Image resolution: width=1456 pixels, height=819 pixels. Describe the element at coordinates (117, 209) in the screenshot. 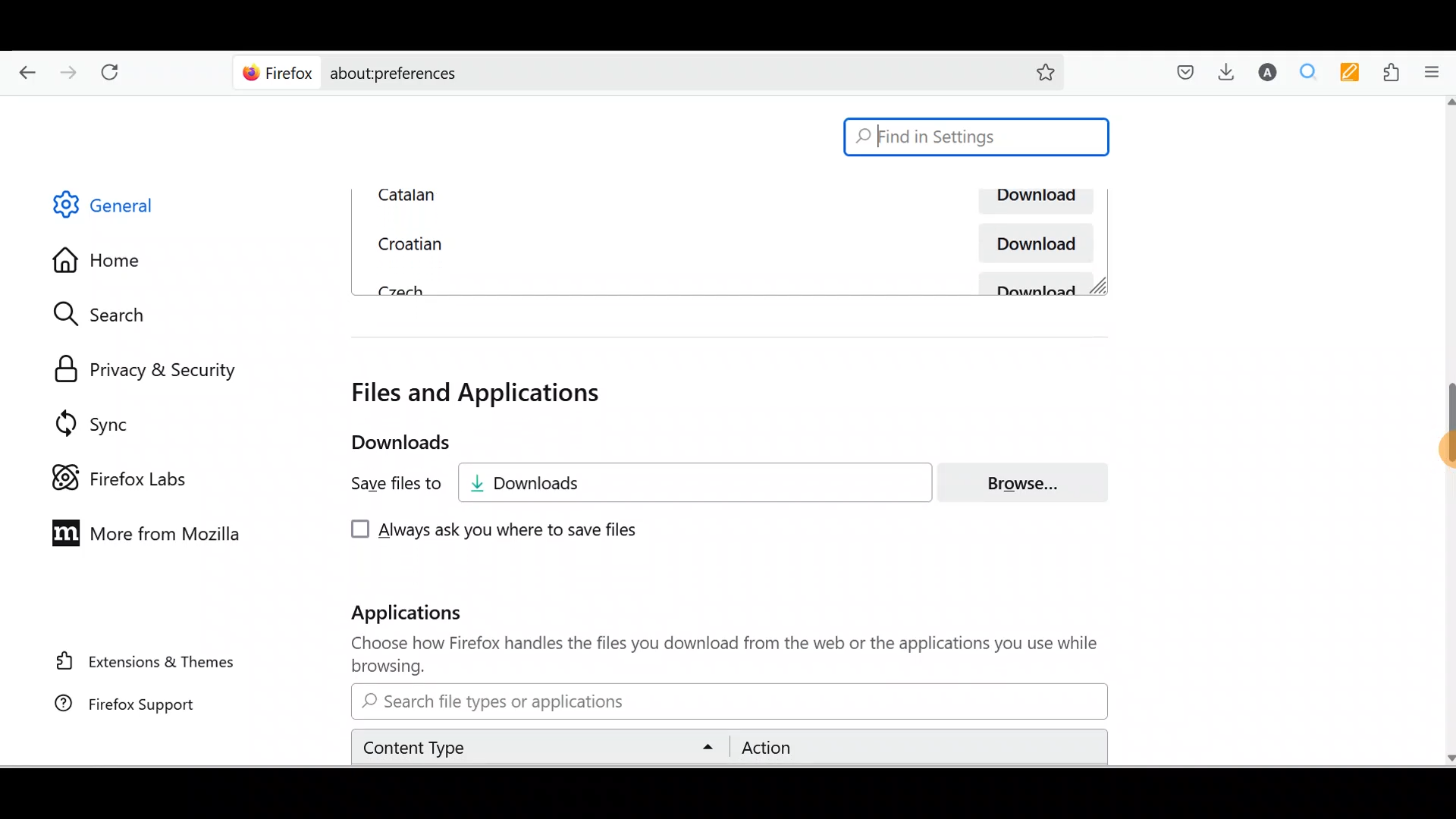

I see `General settings` at that location.